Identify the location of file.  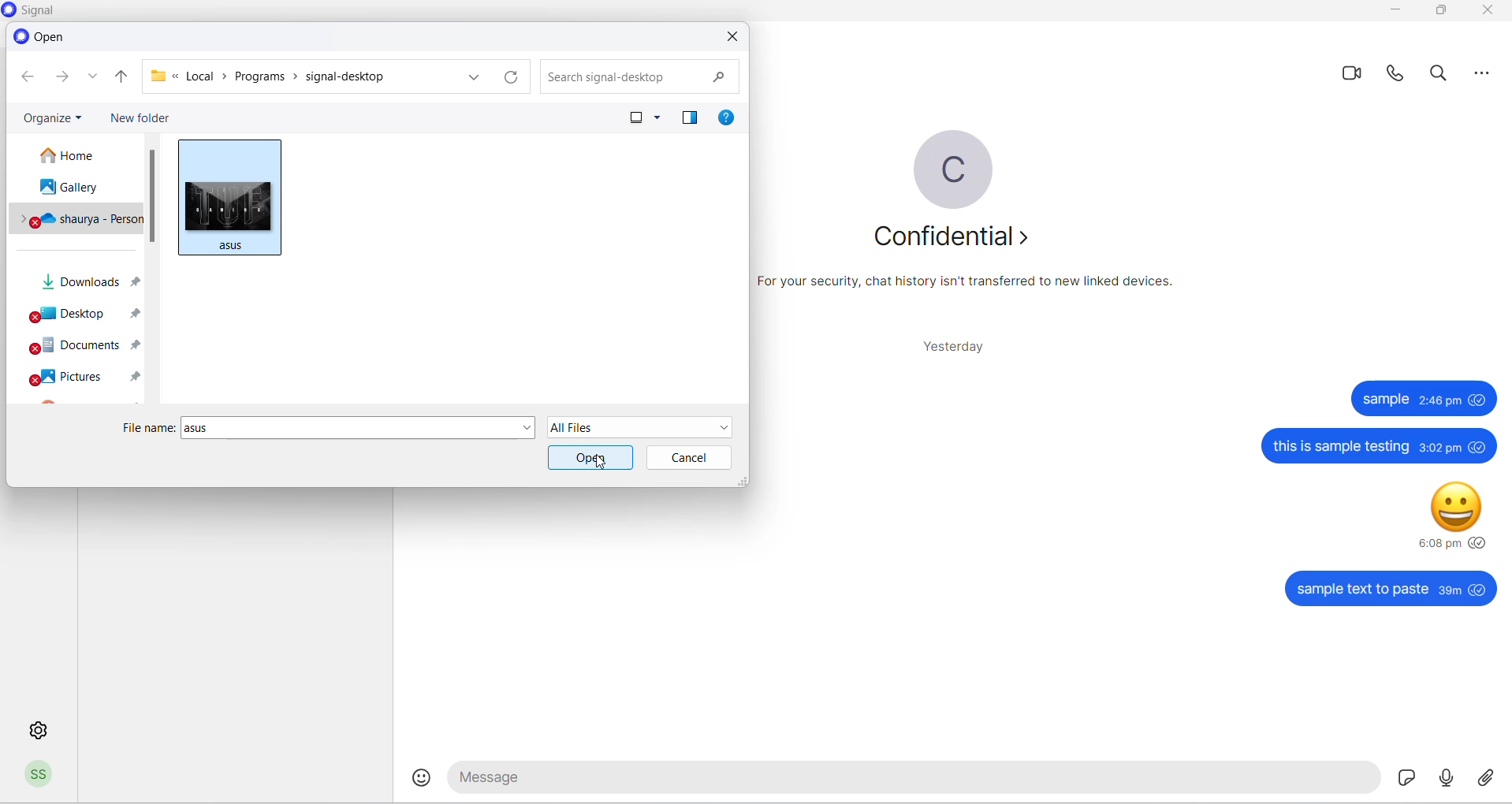
(225, 195).